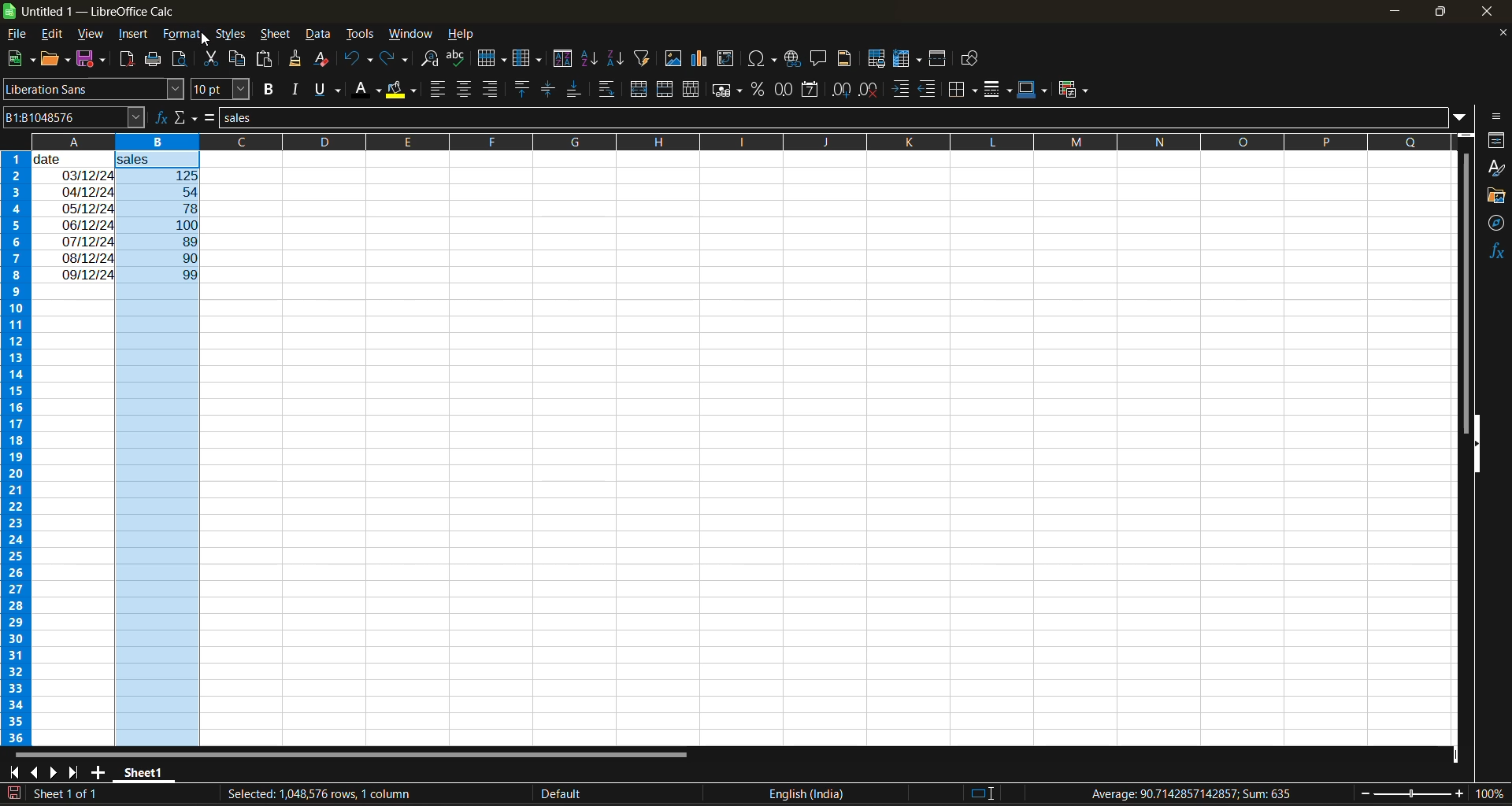  I want to click on clone formatting, so click(298, 60).